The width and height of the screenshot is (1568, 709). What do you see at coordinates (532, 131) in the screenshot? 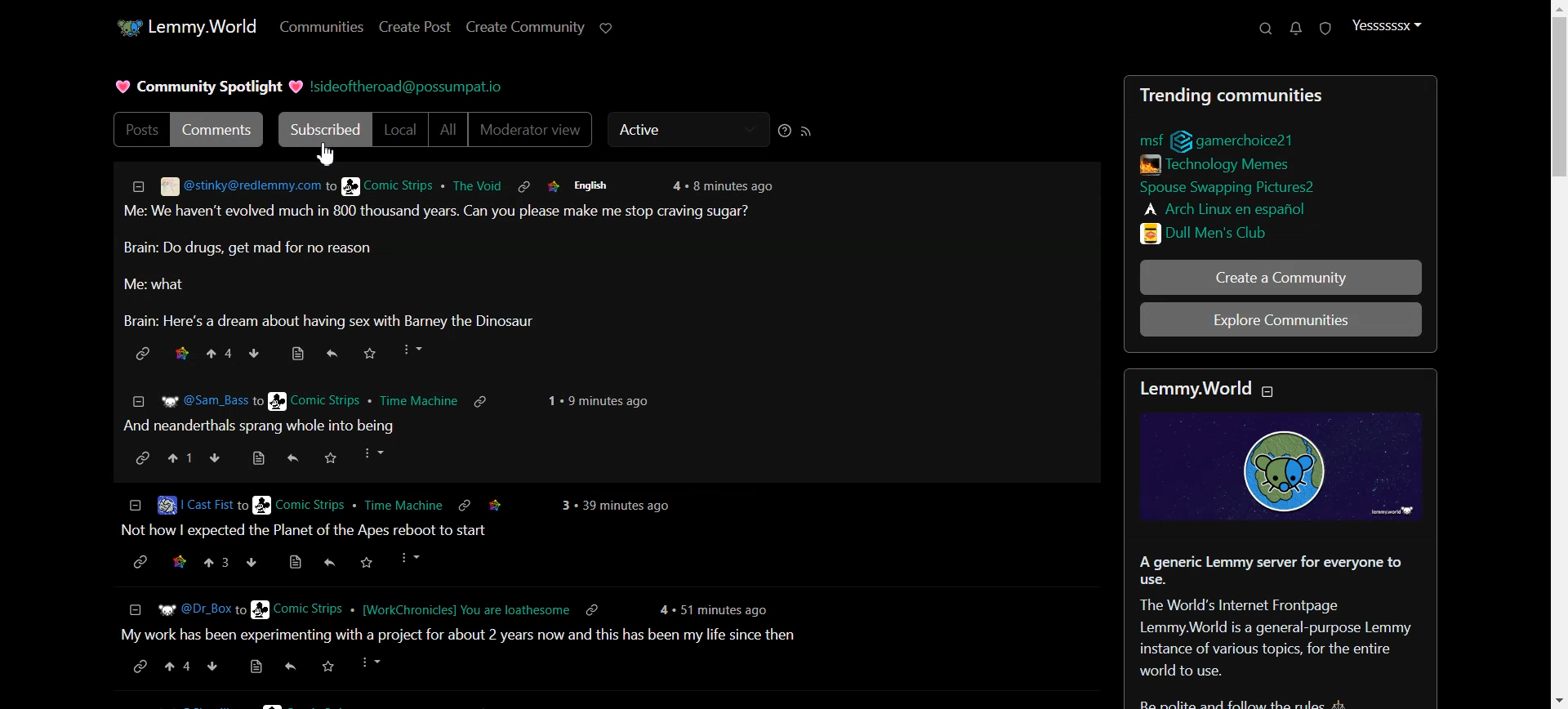
I see `Moderator view` at bounding box center [532, 131].